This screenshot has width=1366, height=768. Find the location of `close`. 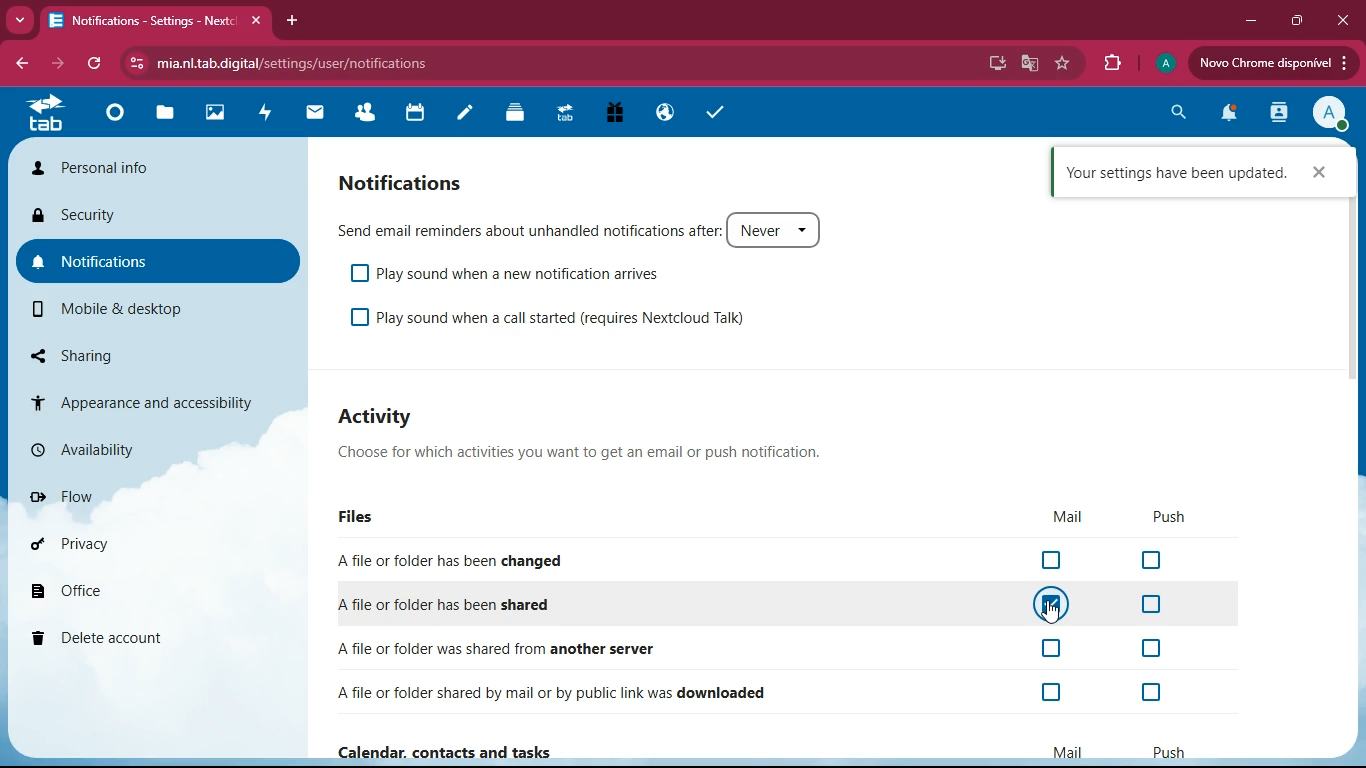

close is located at coordinates (1343, 19).